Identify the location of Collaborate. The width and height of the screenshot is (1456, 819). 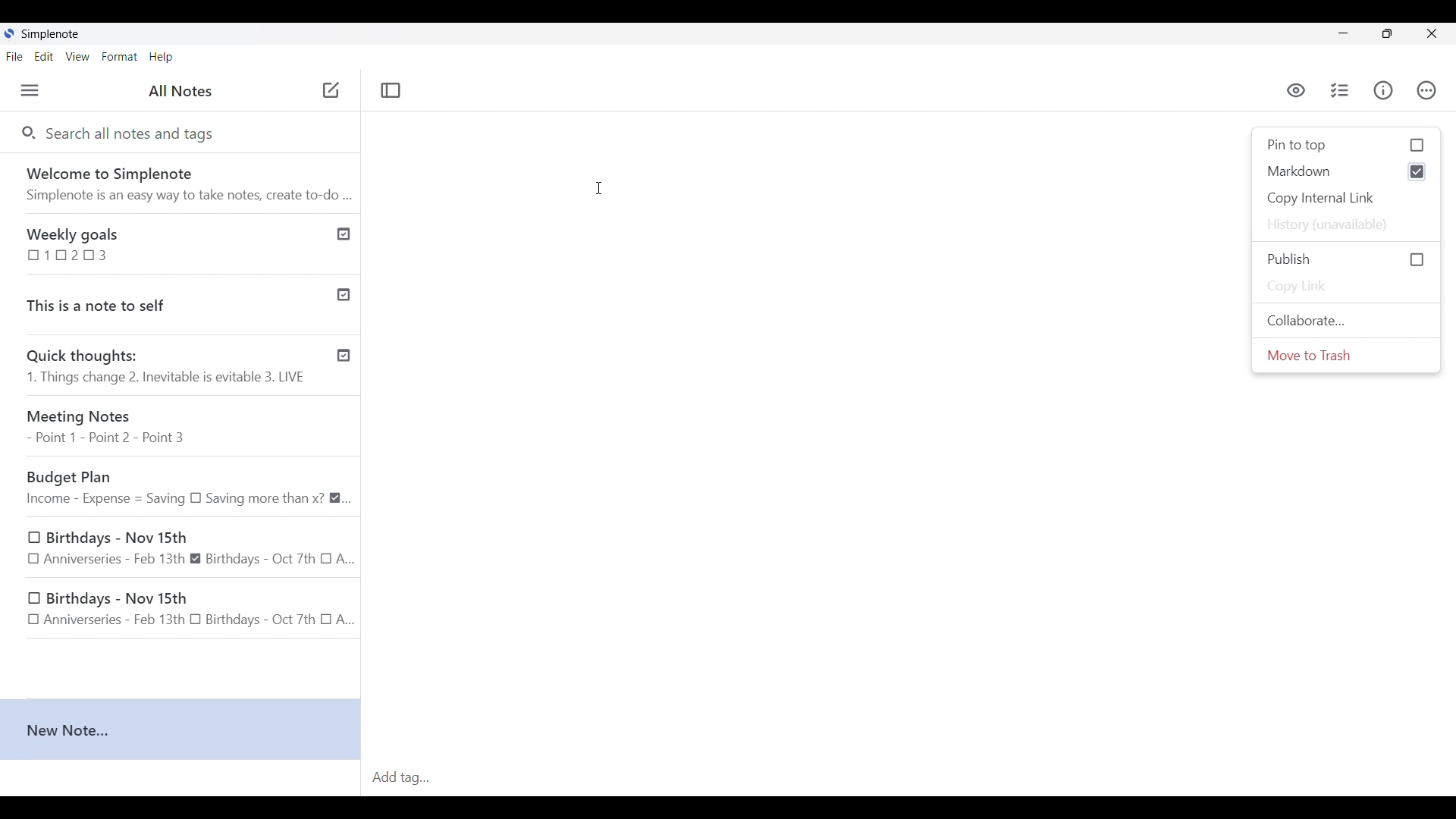
(1346, 320).